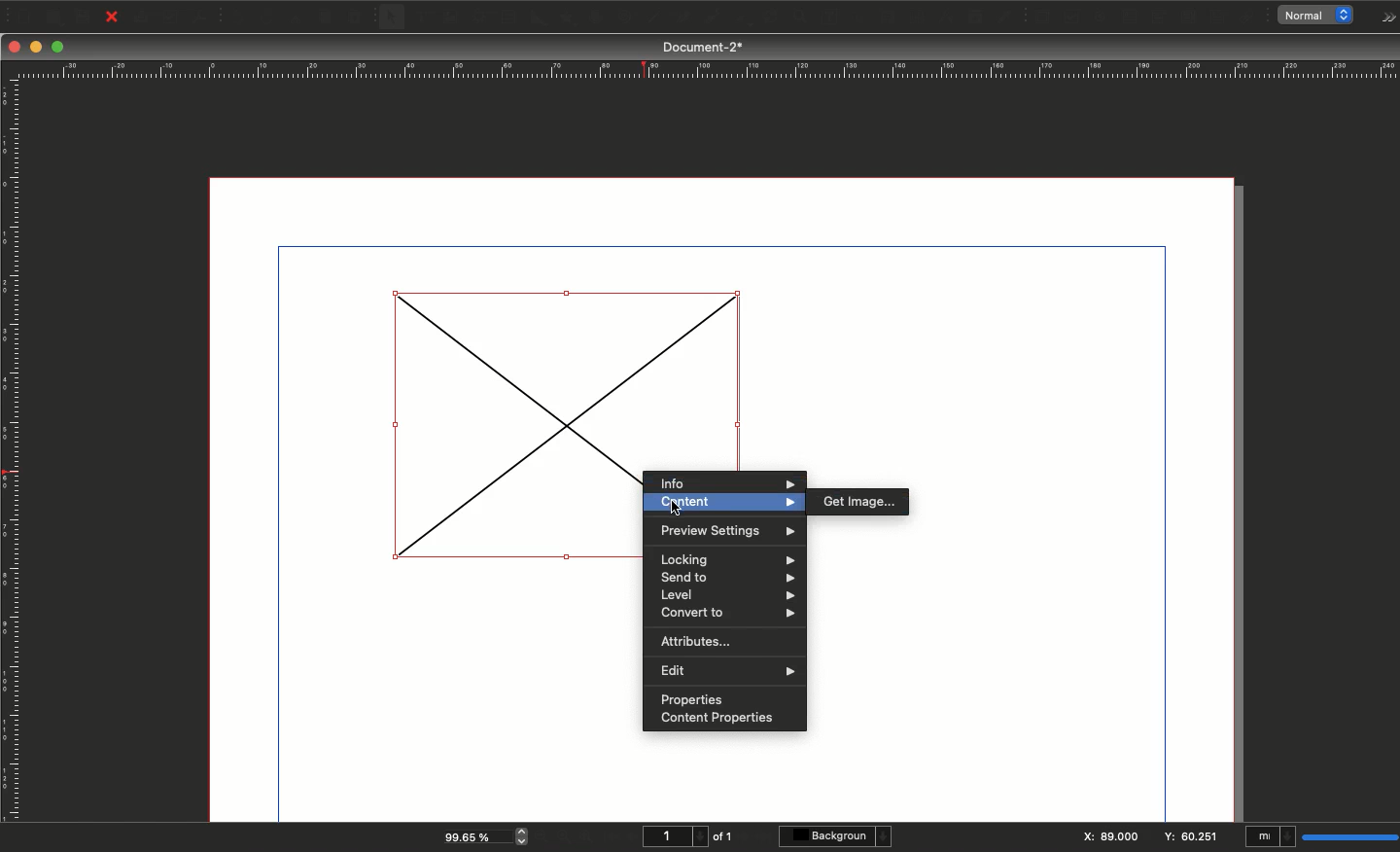 This screenshot has width=1400, height=852. What do you see at coordinates (740, 20) in the screenshot?
I see `Rotate item` at bounding box center [740, 20].